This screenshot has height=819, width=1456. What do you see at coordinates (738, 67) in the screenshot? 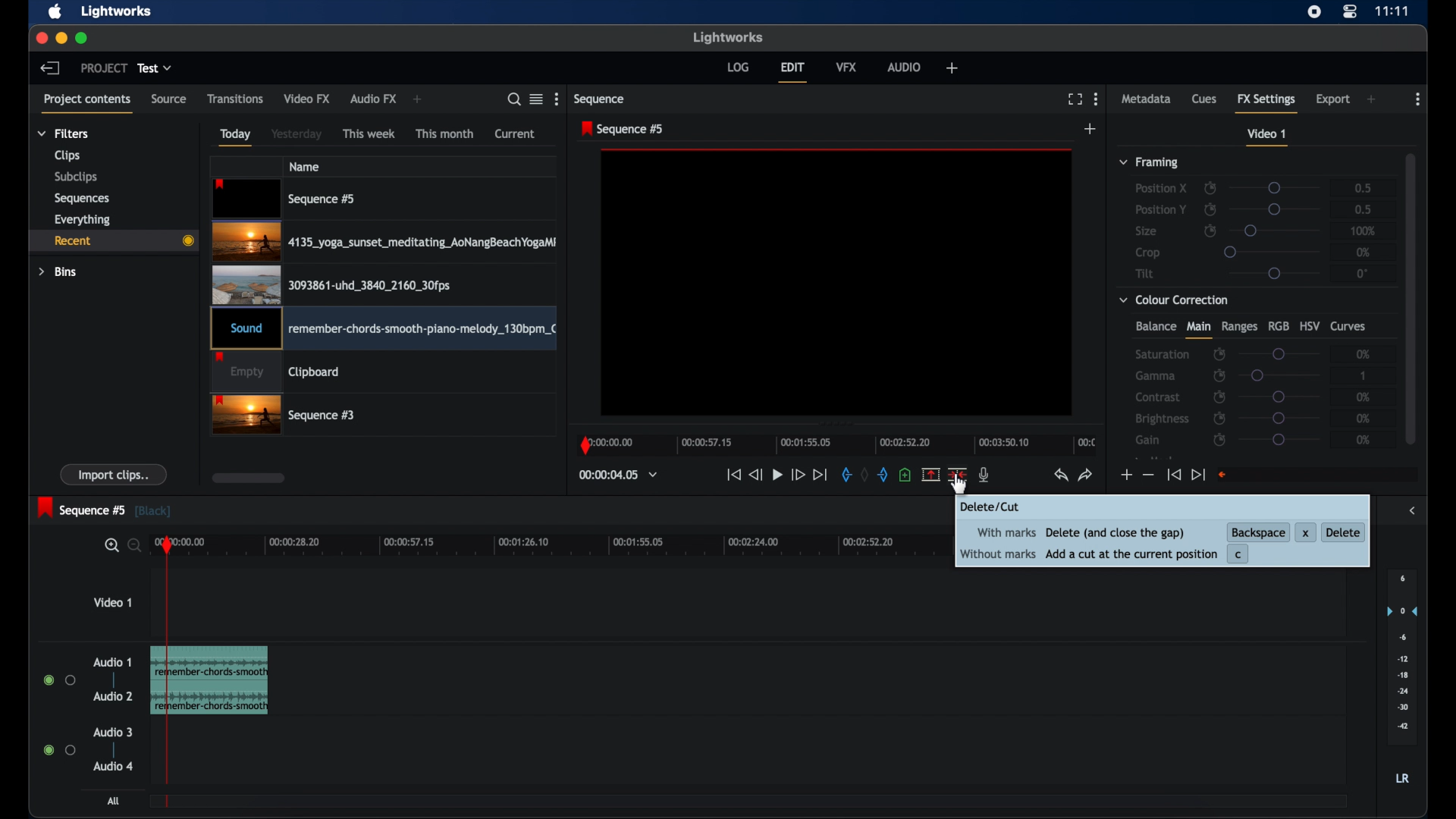
I see `log` at bounding box center [738, 67].